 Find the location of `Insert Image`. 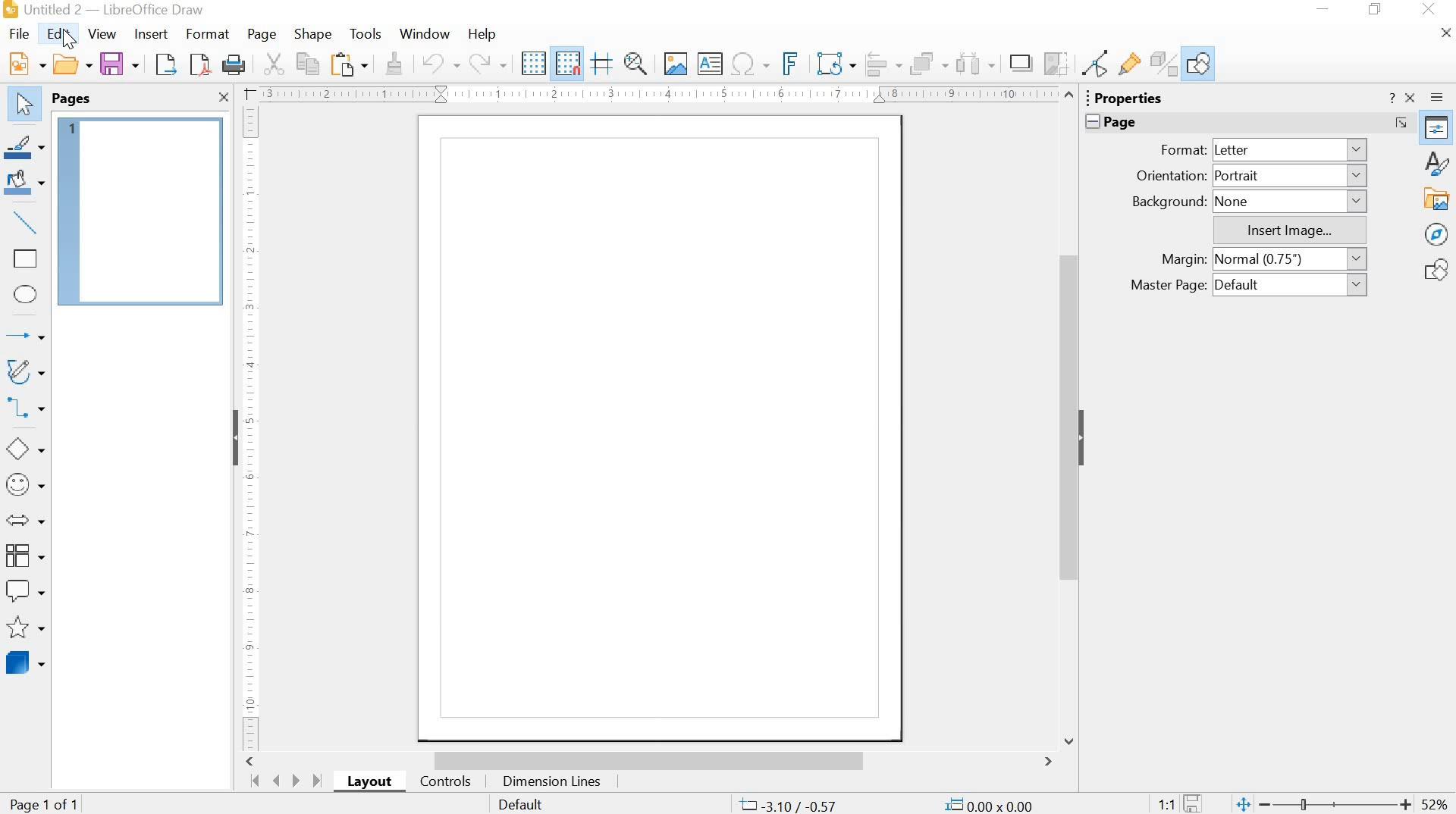

Insert Image is located at coordinates (676, 64).